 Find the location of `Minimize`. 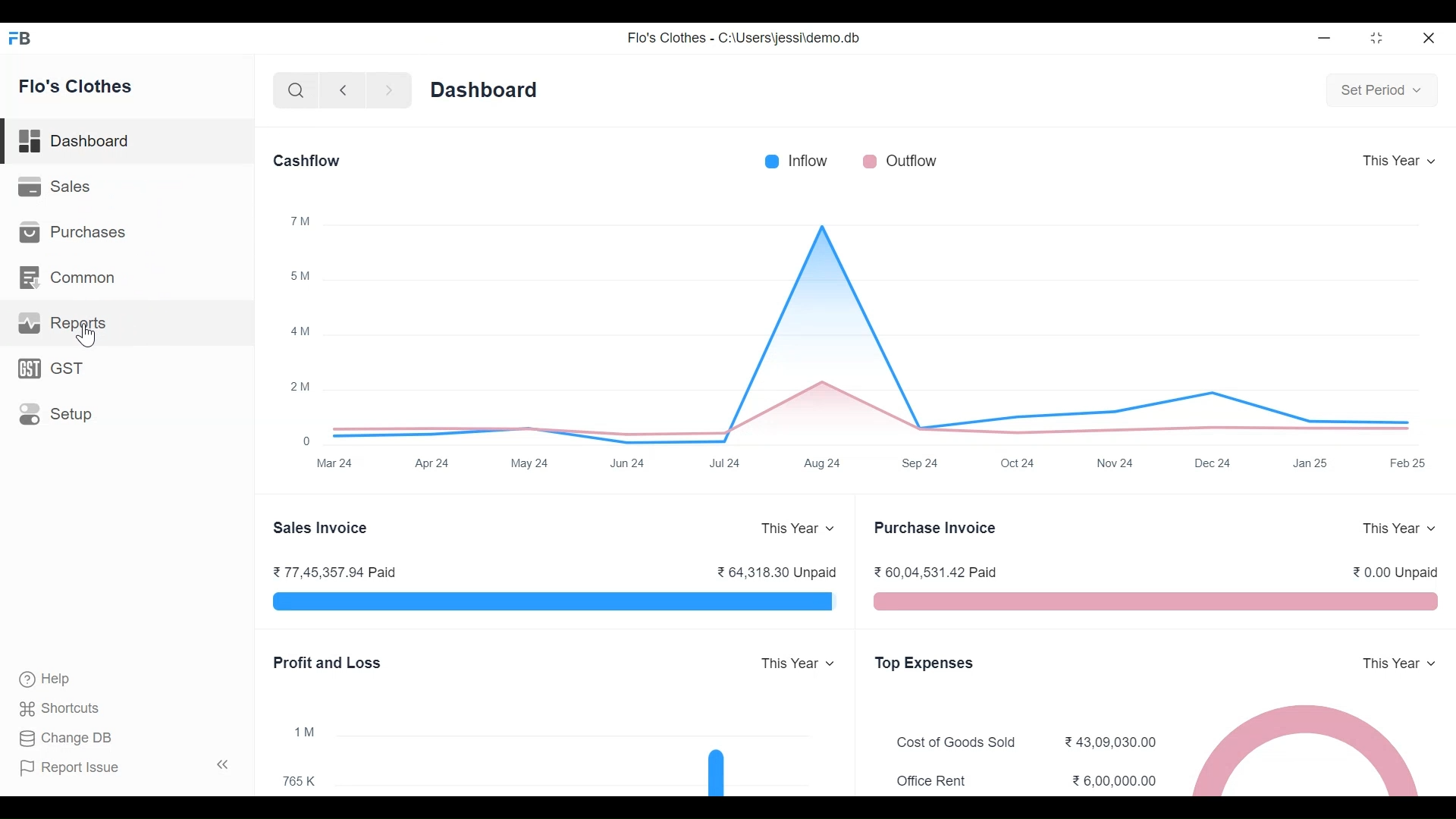

Minimize is located at coordinates (1326, 38).